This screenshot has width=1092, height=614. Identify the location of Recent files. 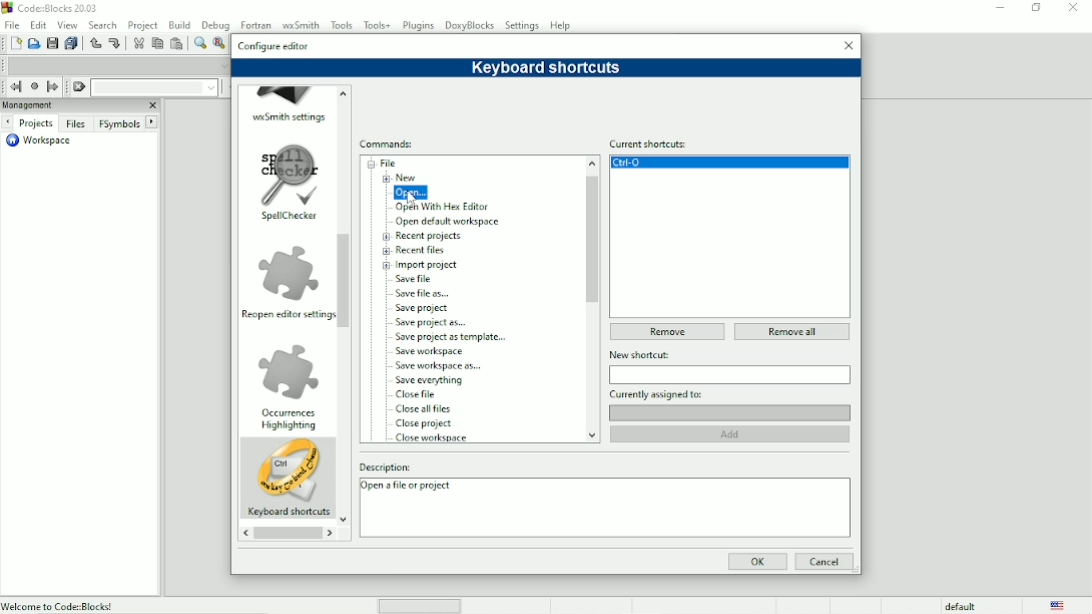
(425, 250).